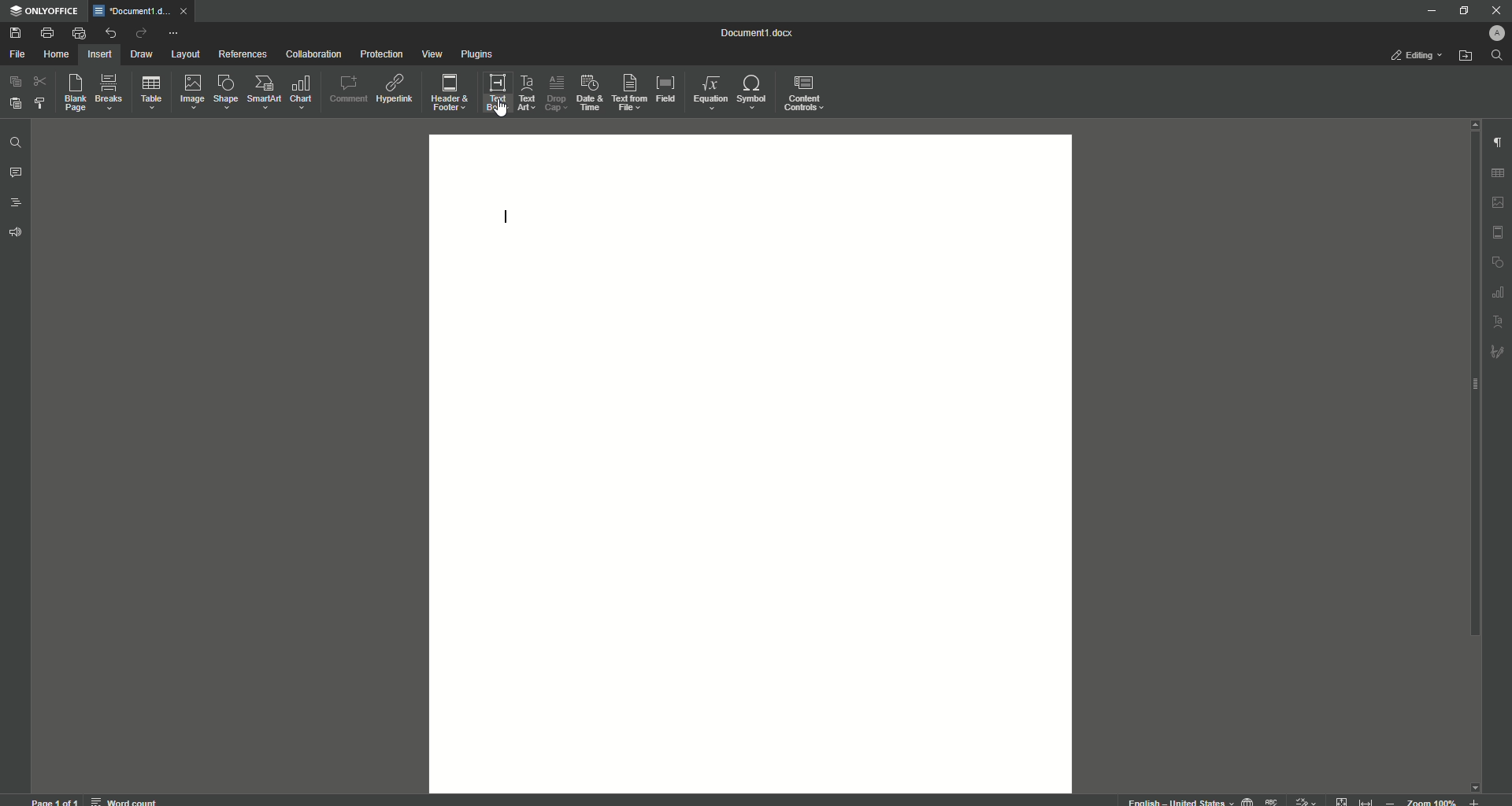 This screenshot has height=806, width=1512. I want to click on Collaboration, so click(313, 56).